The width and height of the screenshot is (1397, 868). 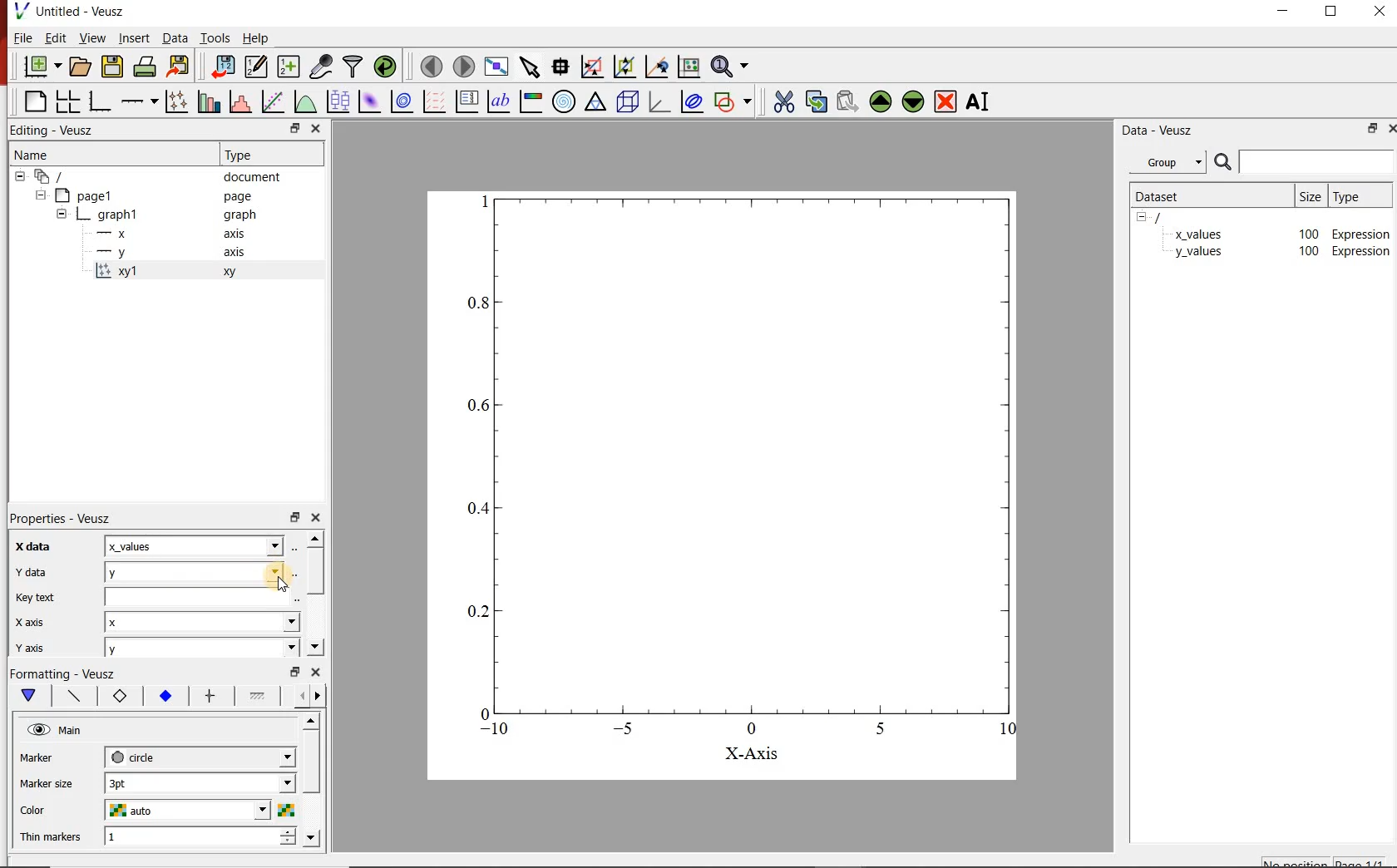 What do you see at coordinates (656, 67) in the screenshot?
I see `click to recenter graph axes` at bounding box center [656, 67].